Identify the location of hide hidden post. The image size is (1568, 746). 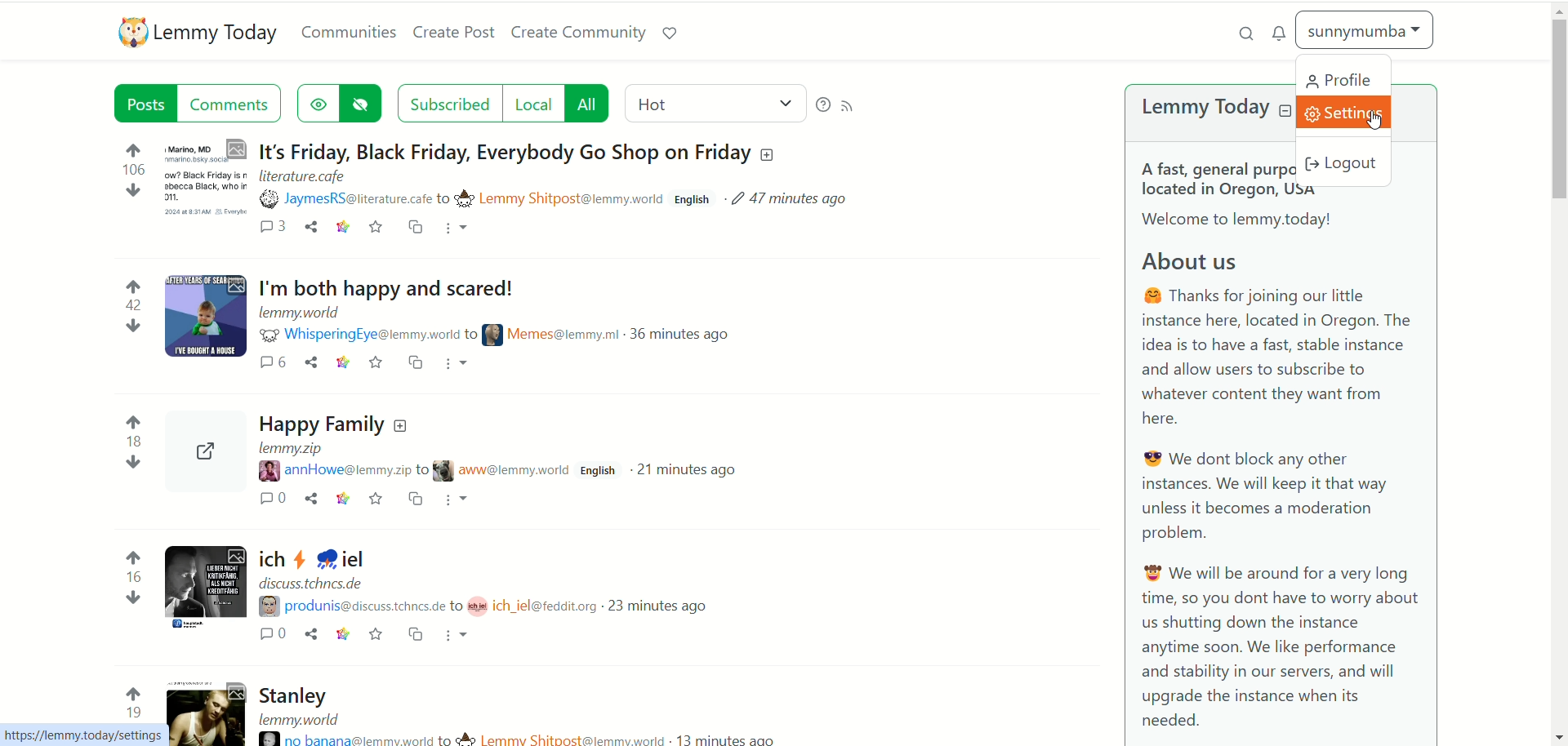
(364, 102).